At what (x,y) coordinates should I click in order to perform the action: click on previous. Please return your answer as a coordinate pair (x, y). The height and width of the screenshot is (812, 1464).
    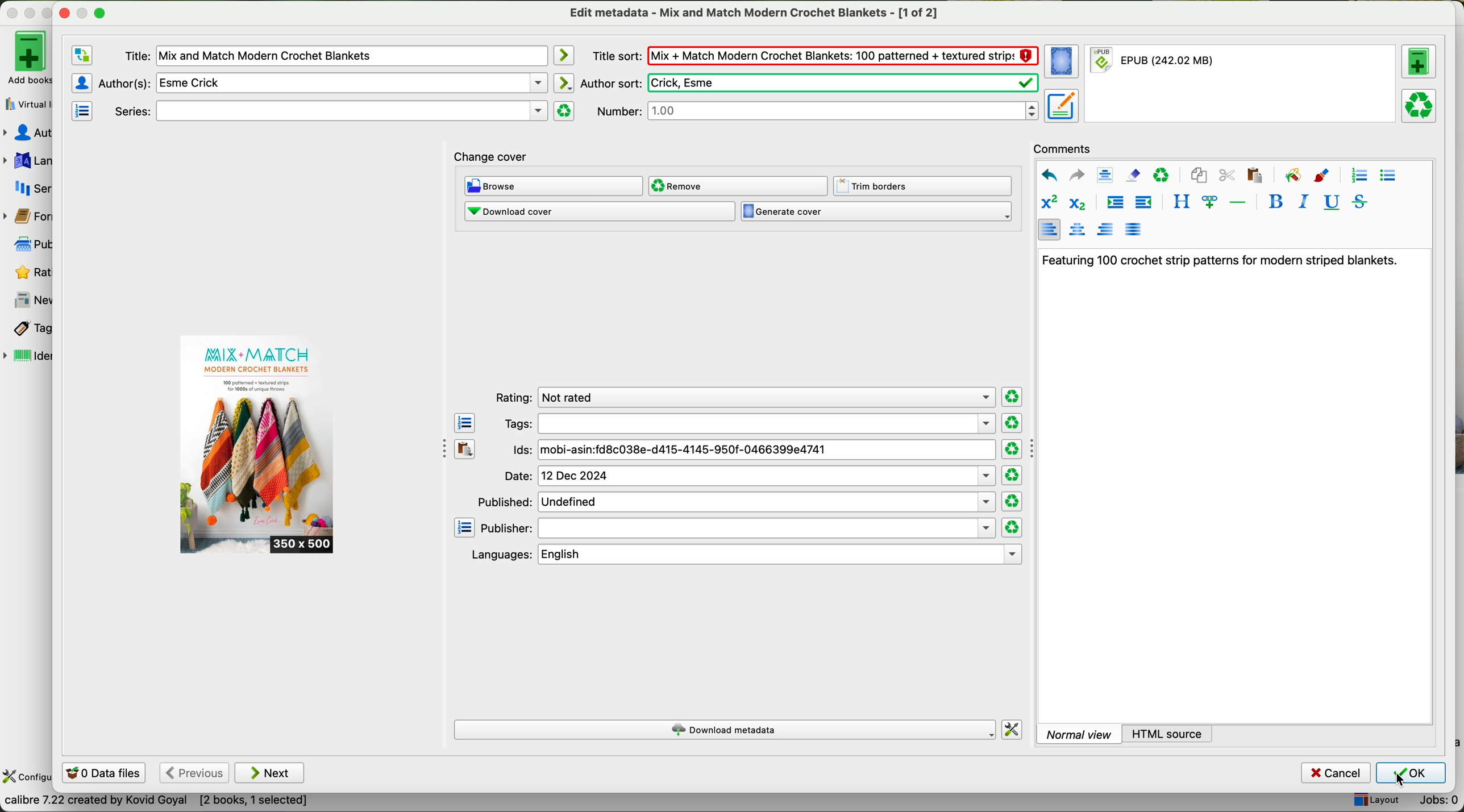
    Looking at the image, I should click on (193, 773).